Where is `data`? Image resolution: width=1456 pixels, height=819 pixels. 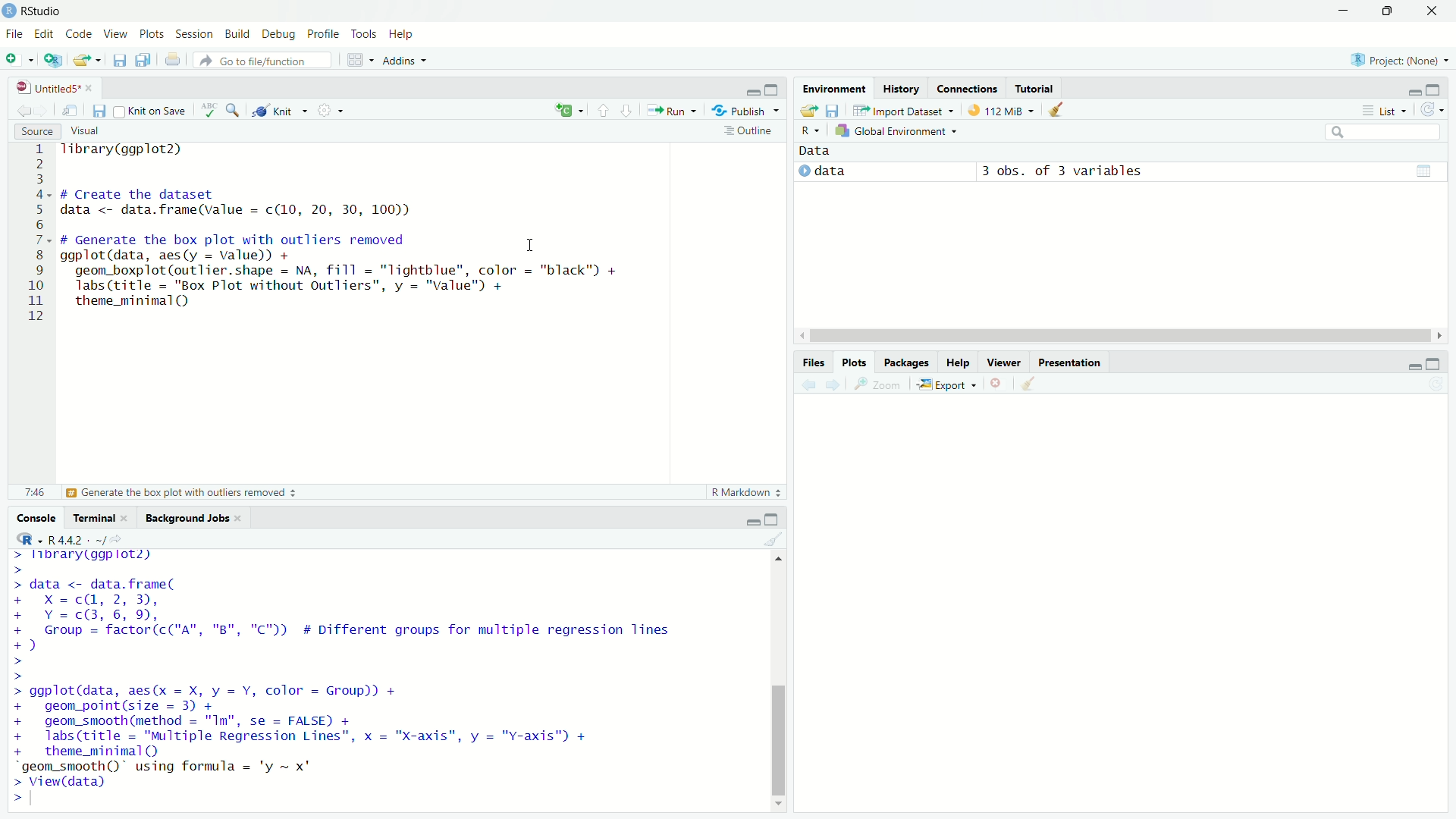
data is located at coordinates (825, 151).